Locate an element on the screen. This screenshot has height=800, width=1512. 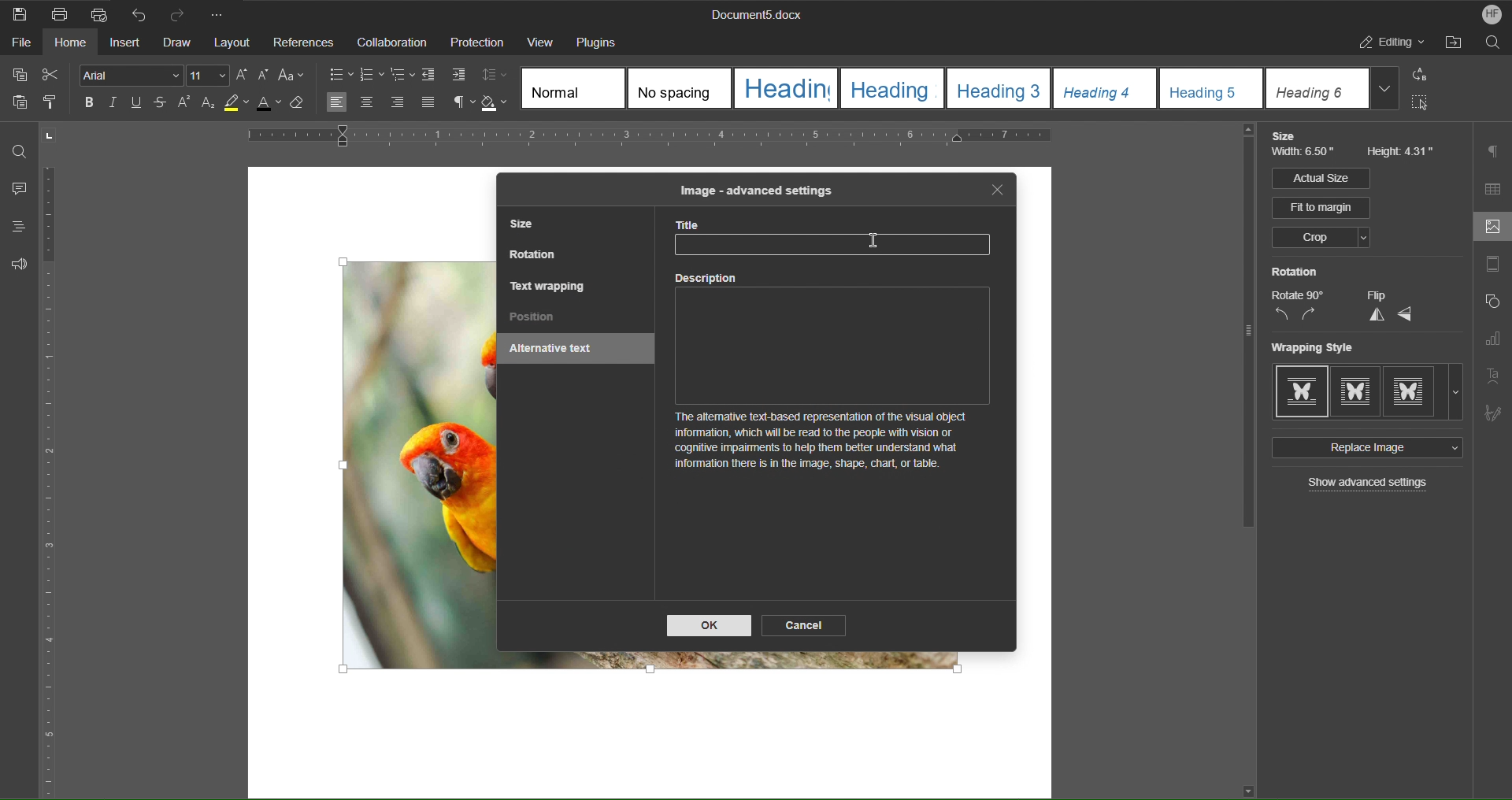
Image Settings is located at coordinates (1489, 228).